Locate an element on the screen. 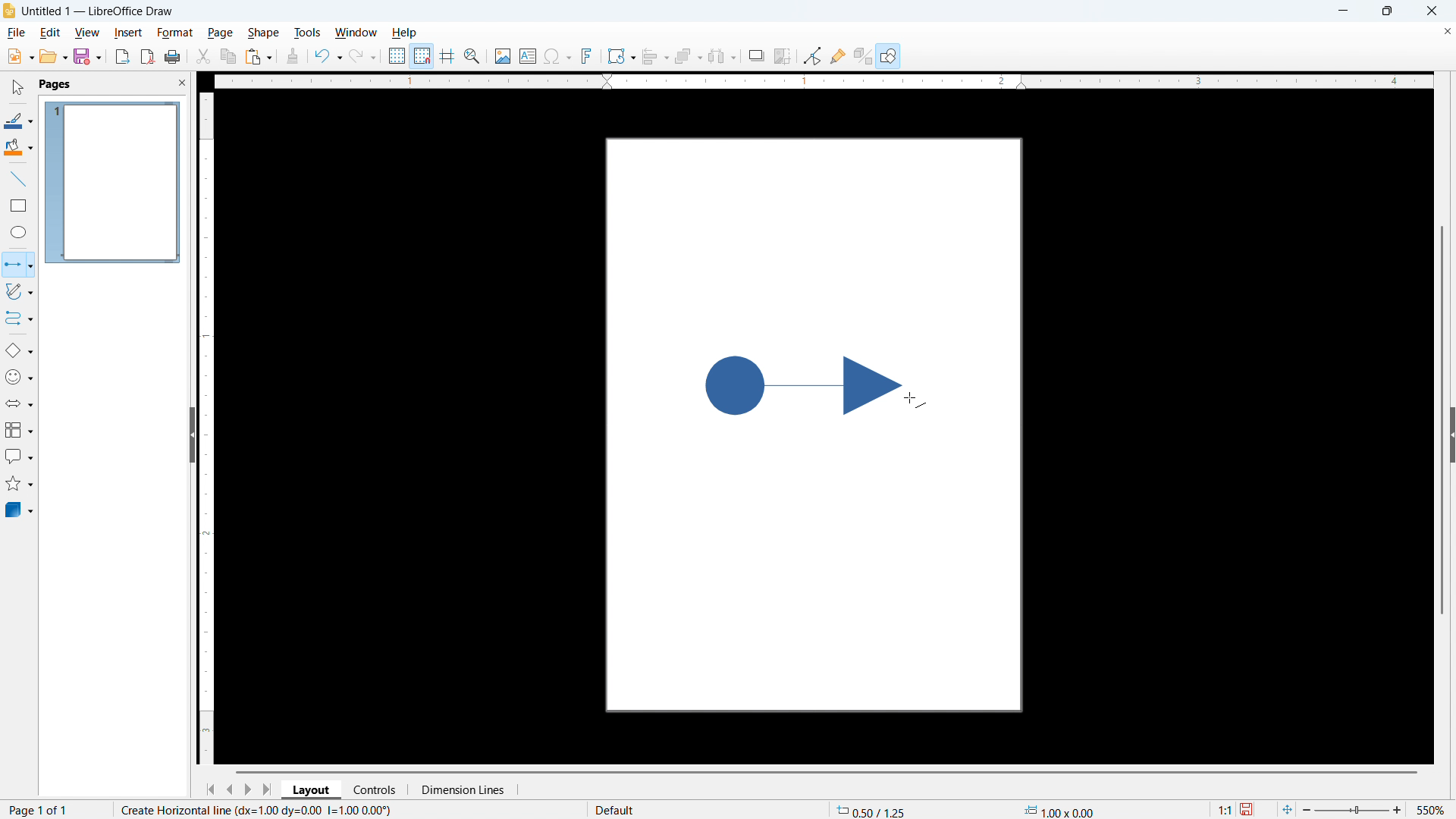 The height and width of the screenshot is (819, 1456). Cursor coordinates (0.50/1.25) is located at coordinates (871, 809).